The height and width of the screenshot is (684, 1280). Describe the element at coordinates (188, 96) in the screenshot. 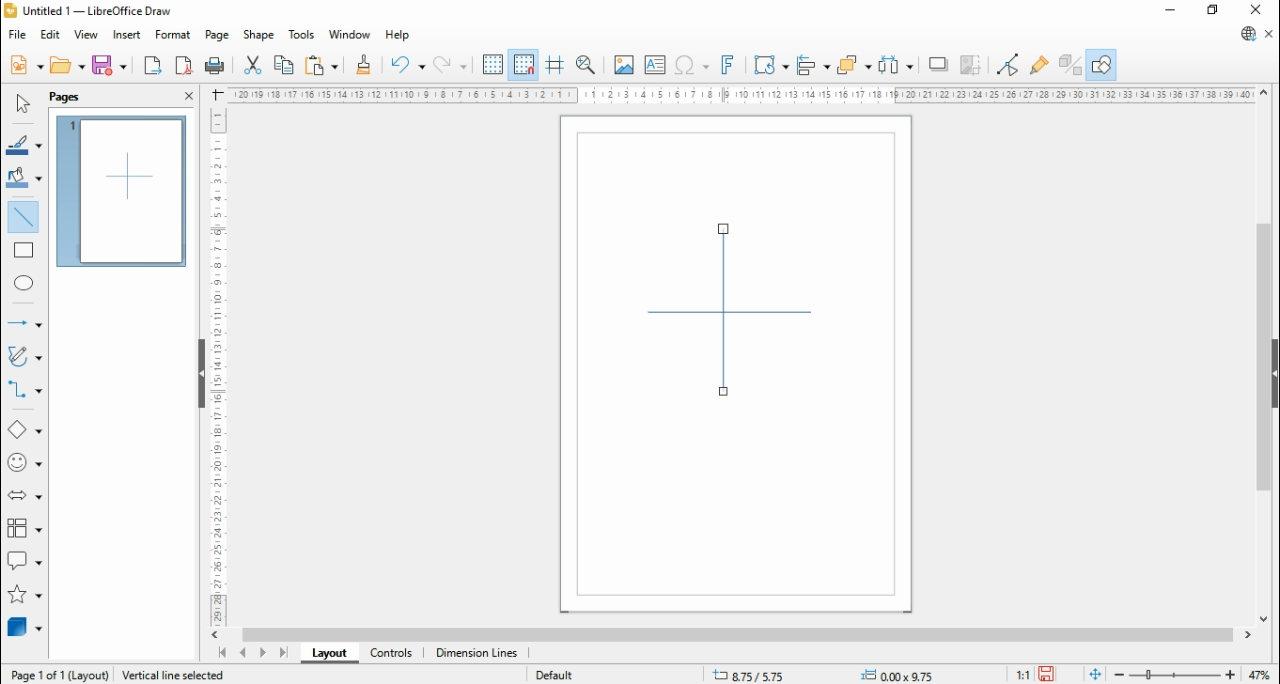

I see `close pane` at that location.